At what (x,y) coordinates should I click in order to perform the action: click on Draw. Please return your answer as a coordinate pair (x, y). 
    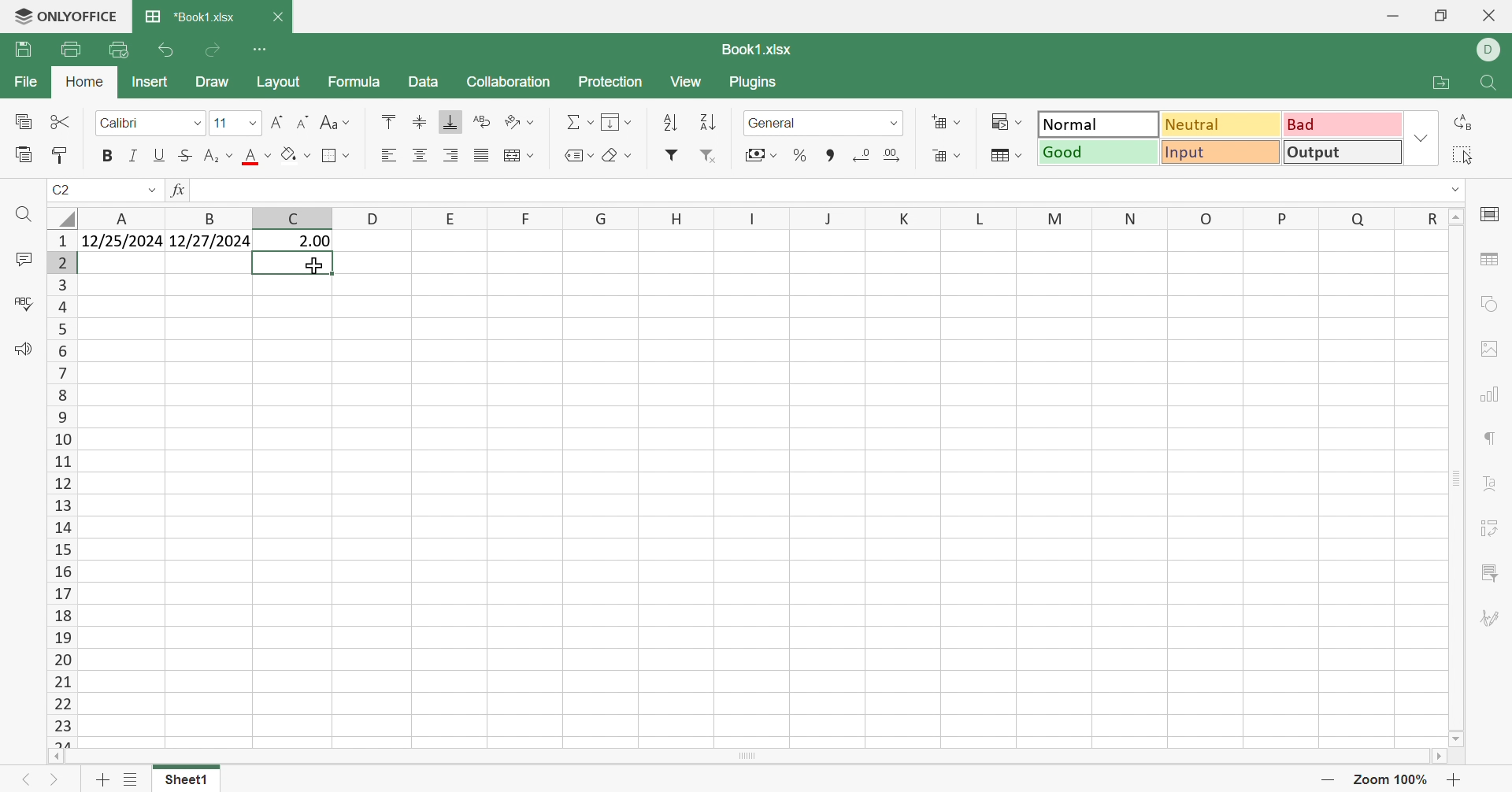
    Looking at the image, I should click on (210, 80).